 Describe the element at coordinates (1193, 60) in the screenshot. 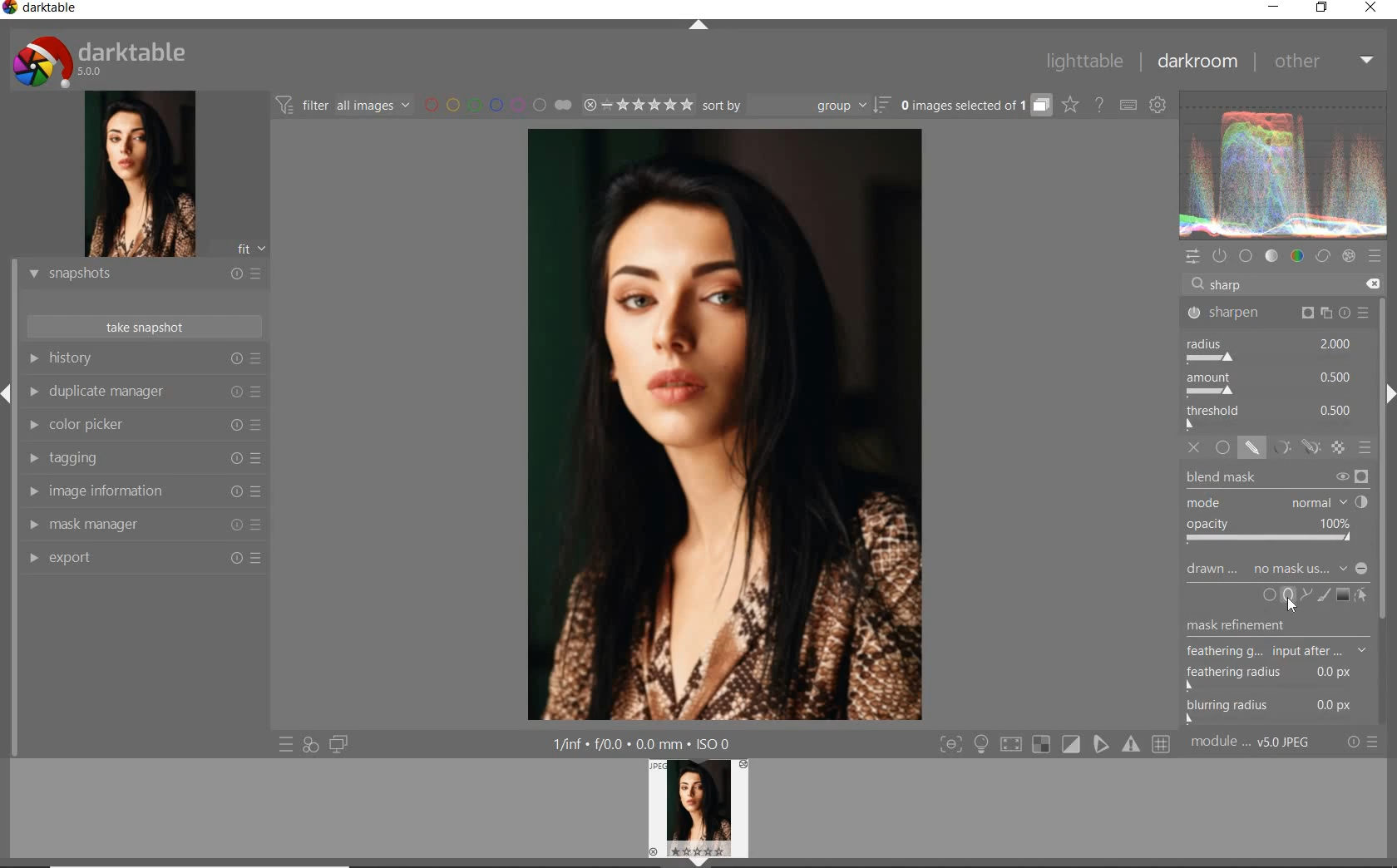

I see `darkroom` at that location.